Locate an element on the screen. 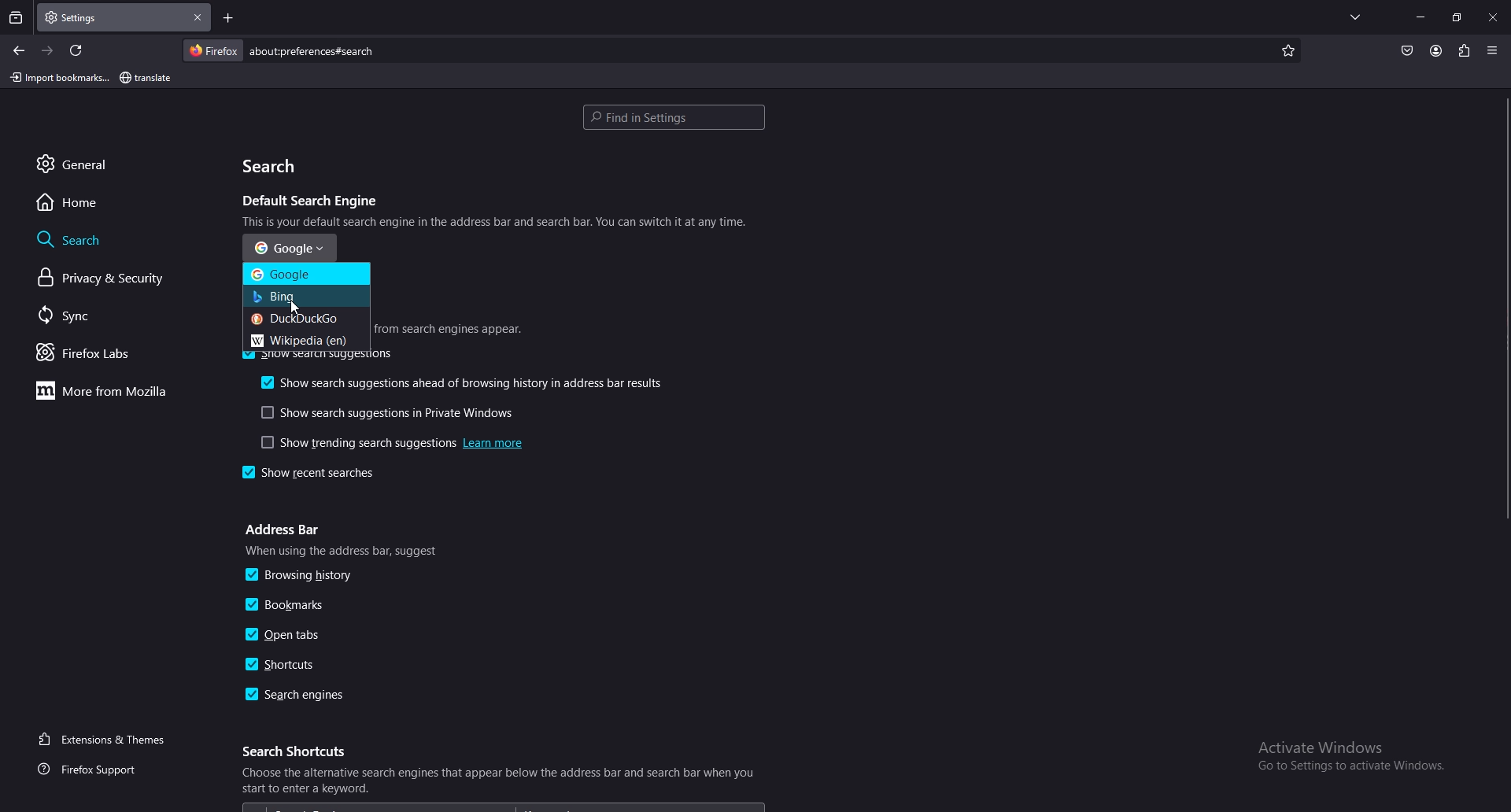 This screenshot has height=812, width=1511. google is located at coordinates (289, 245).